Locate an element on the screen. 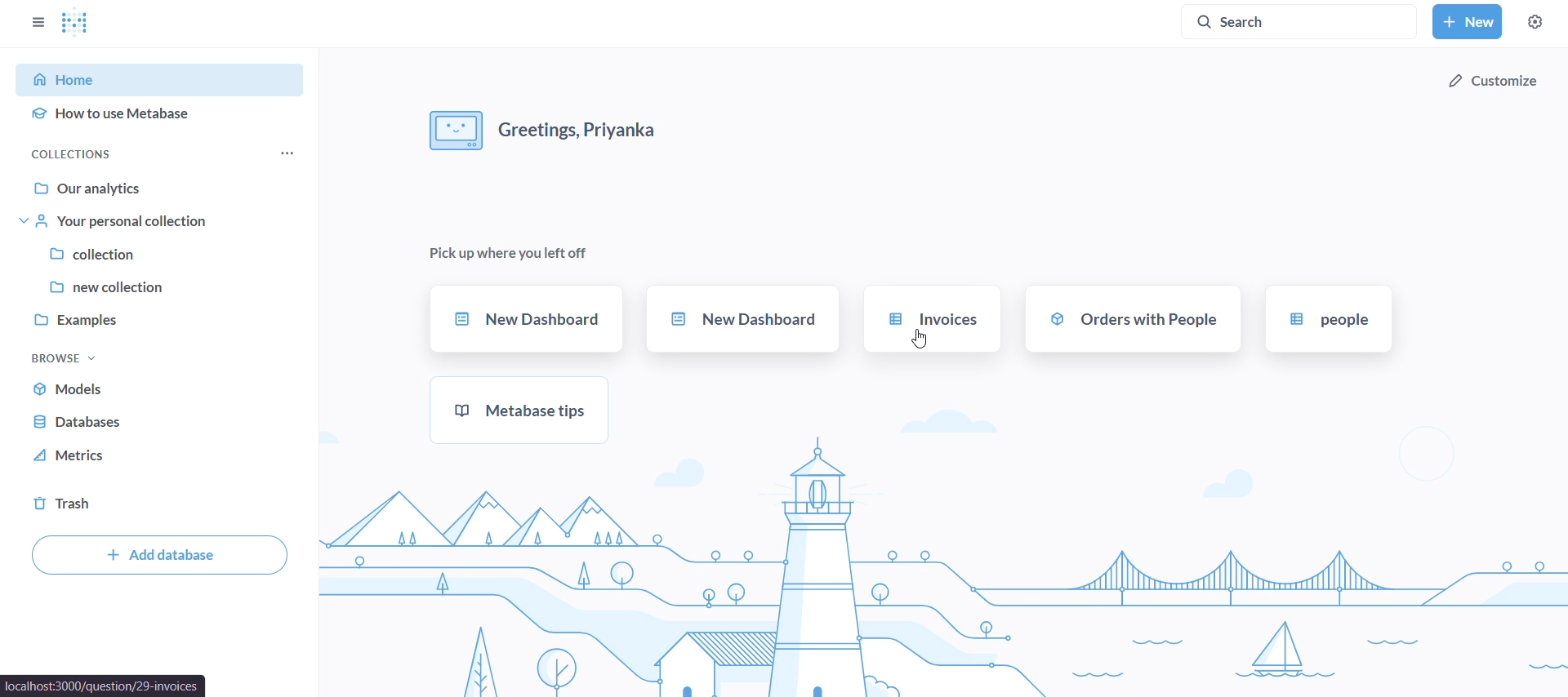 Image resolution: width=1568 pixels, height=697 pixels. new dashboard is located at coordinates (743, 318).